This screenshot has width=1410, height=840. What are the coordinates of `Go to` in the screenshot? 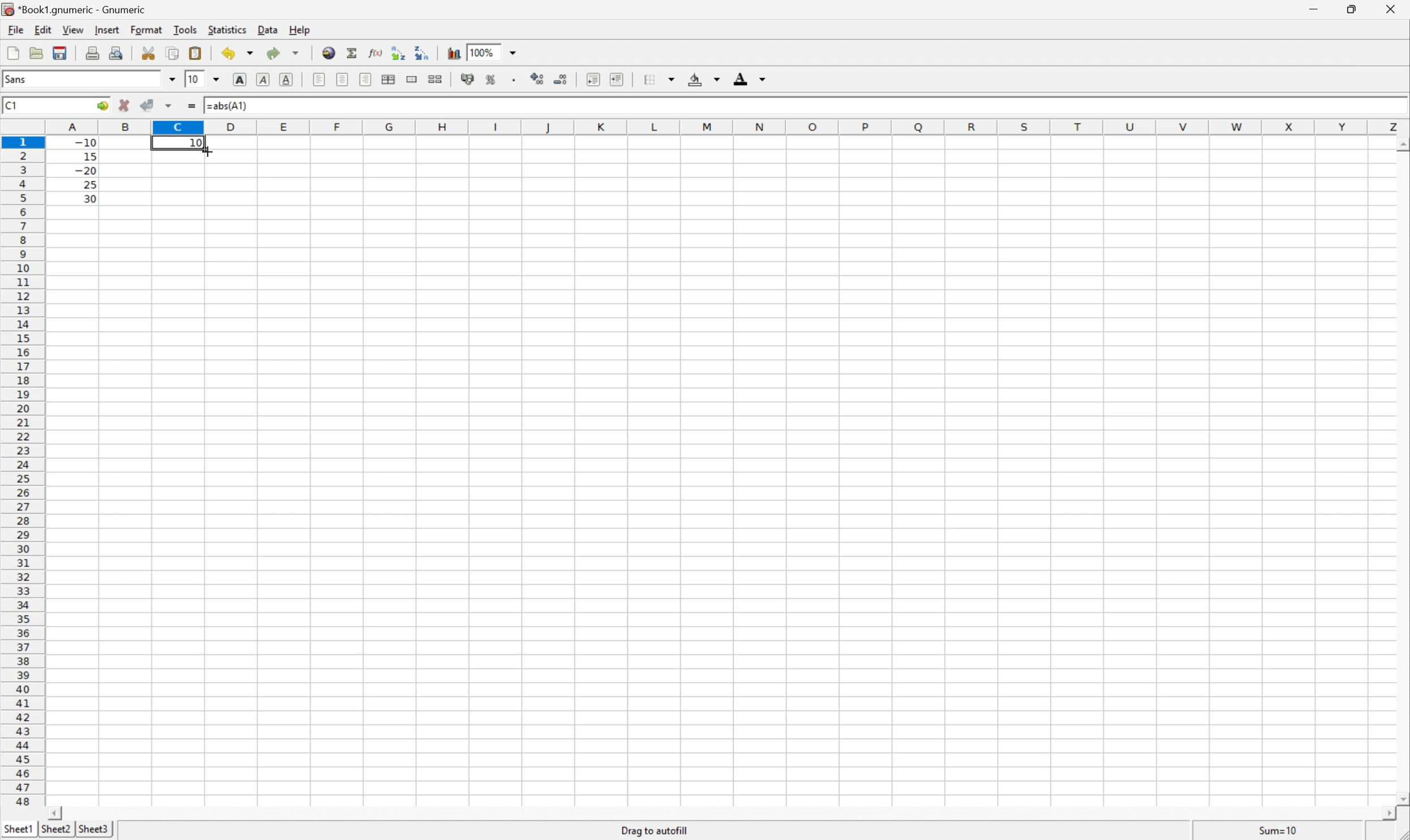 It's located at (101, 106).